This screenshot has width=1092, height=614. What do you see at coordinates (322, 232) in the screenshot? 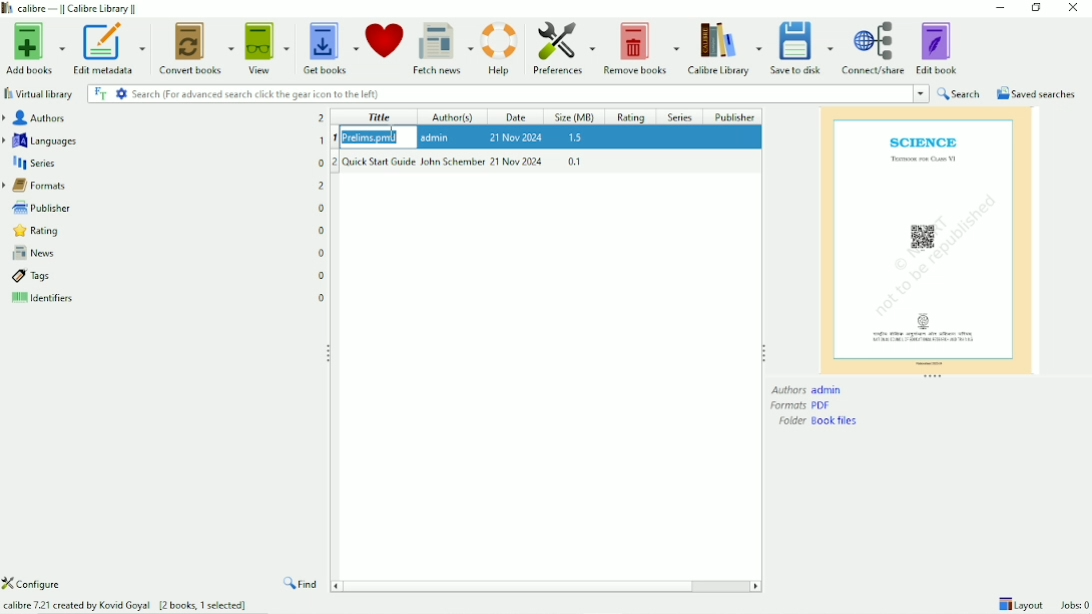
I see `0` at bounding box center [322, 232].